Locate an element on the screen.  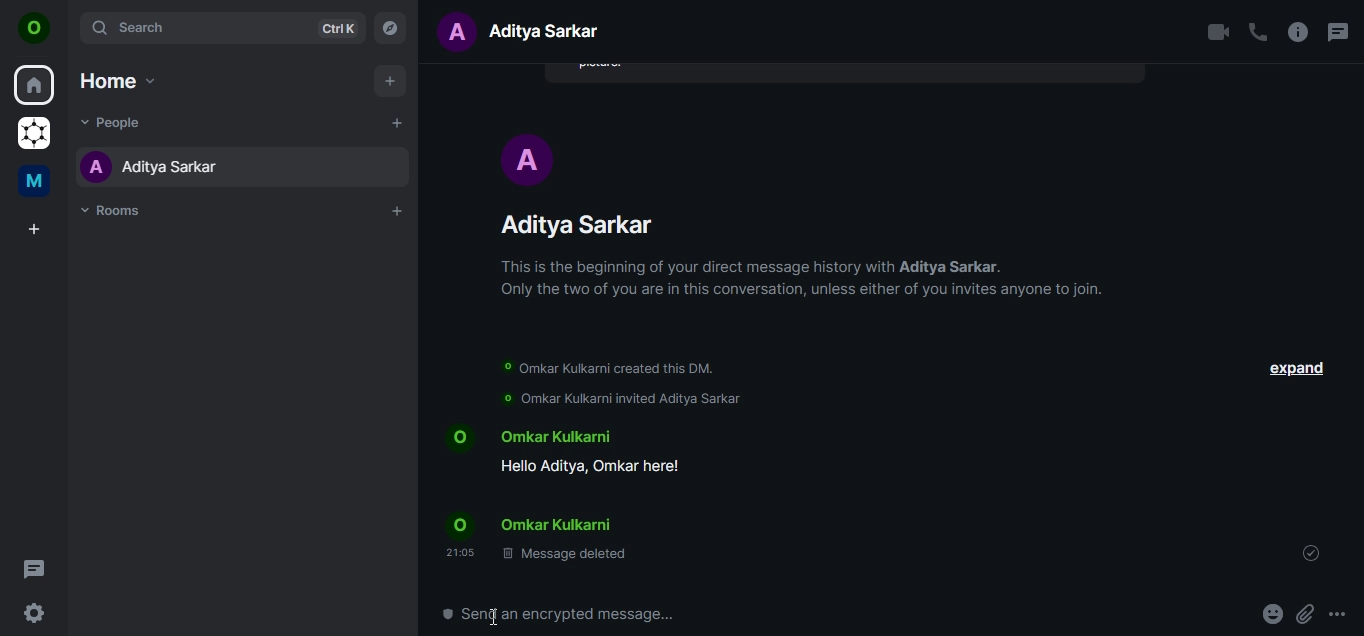
icon is located at coordinates (34, 28).